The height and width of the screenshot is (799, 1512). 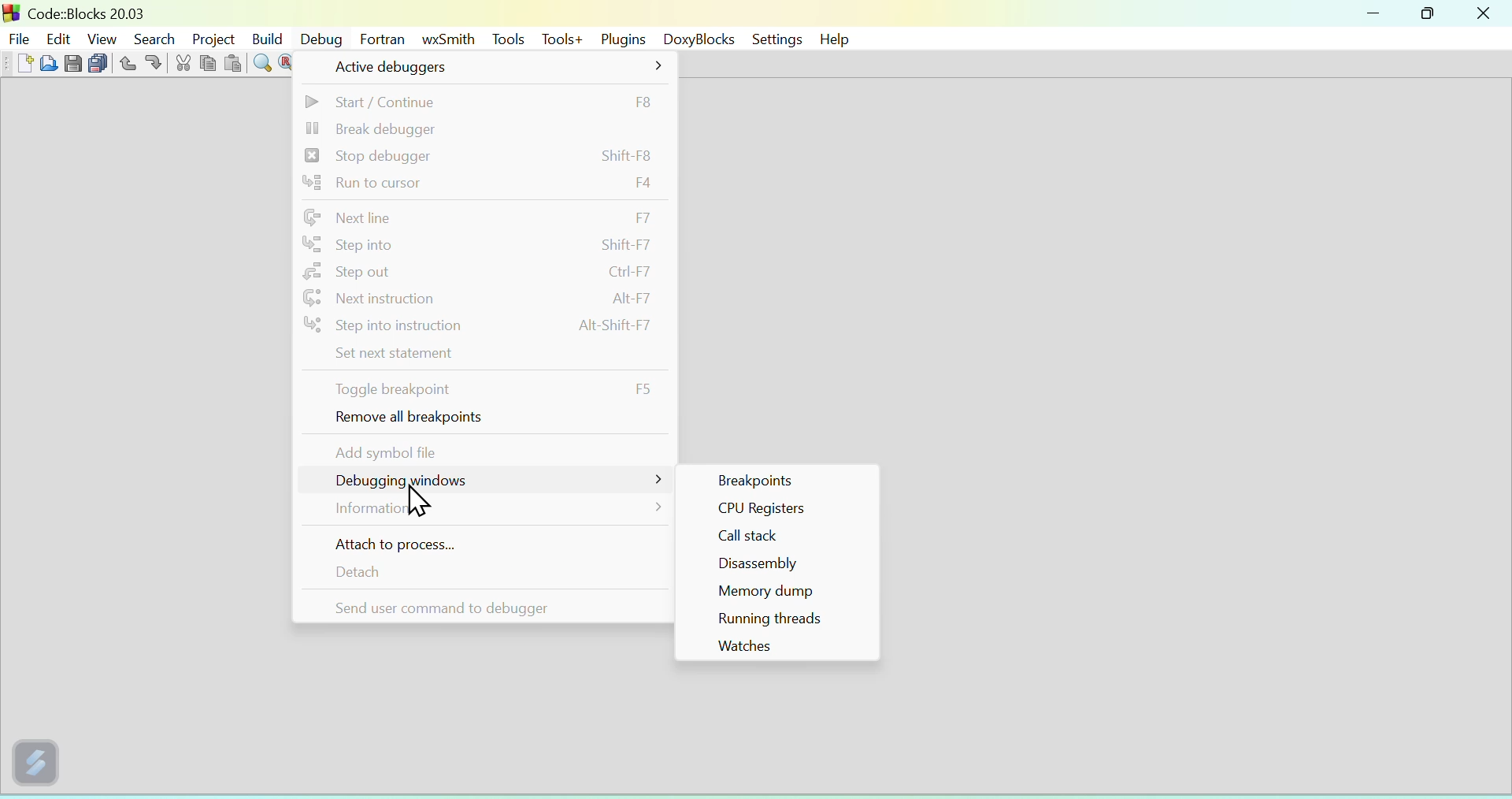 I want to click on start/continue, so click(x=482, y=100).